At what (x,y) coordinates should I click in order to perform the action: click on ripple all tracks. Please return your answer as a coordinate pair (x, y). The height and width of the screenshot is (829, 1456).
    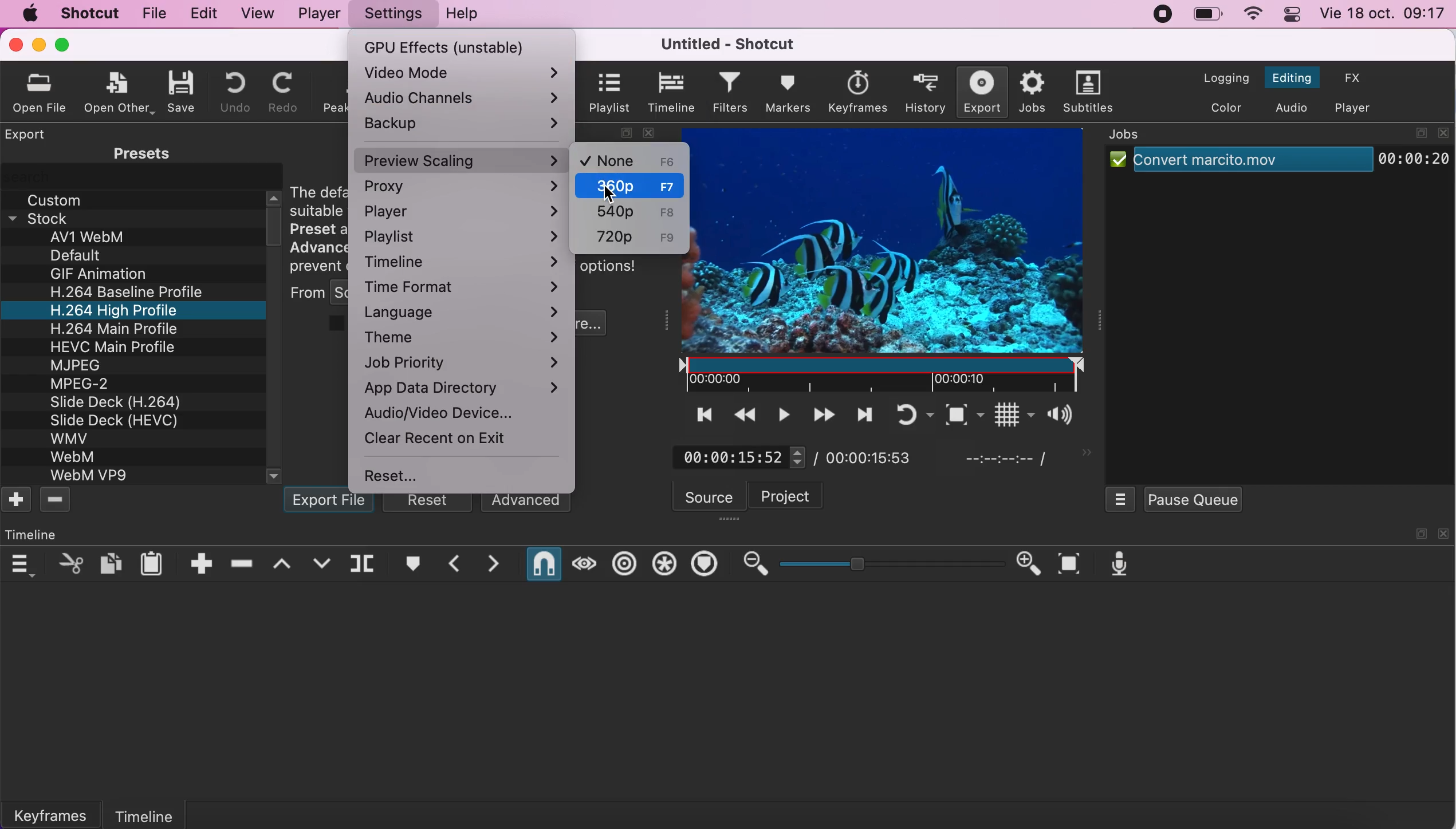
    Looking at the image, I should click on (663, 564).